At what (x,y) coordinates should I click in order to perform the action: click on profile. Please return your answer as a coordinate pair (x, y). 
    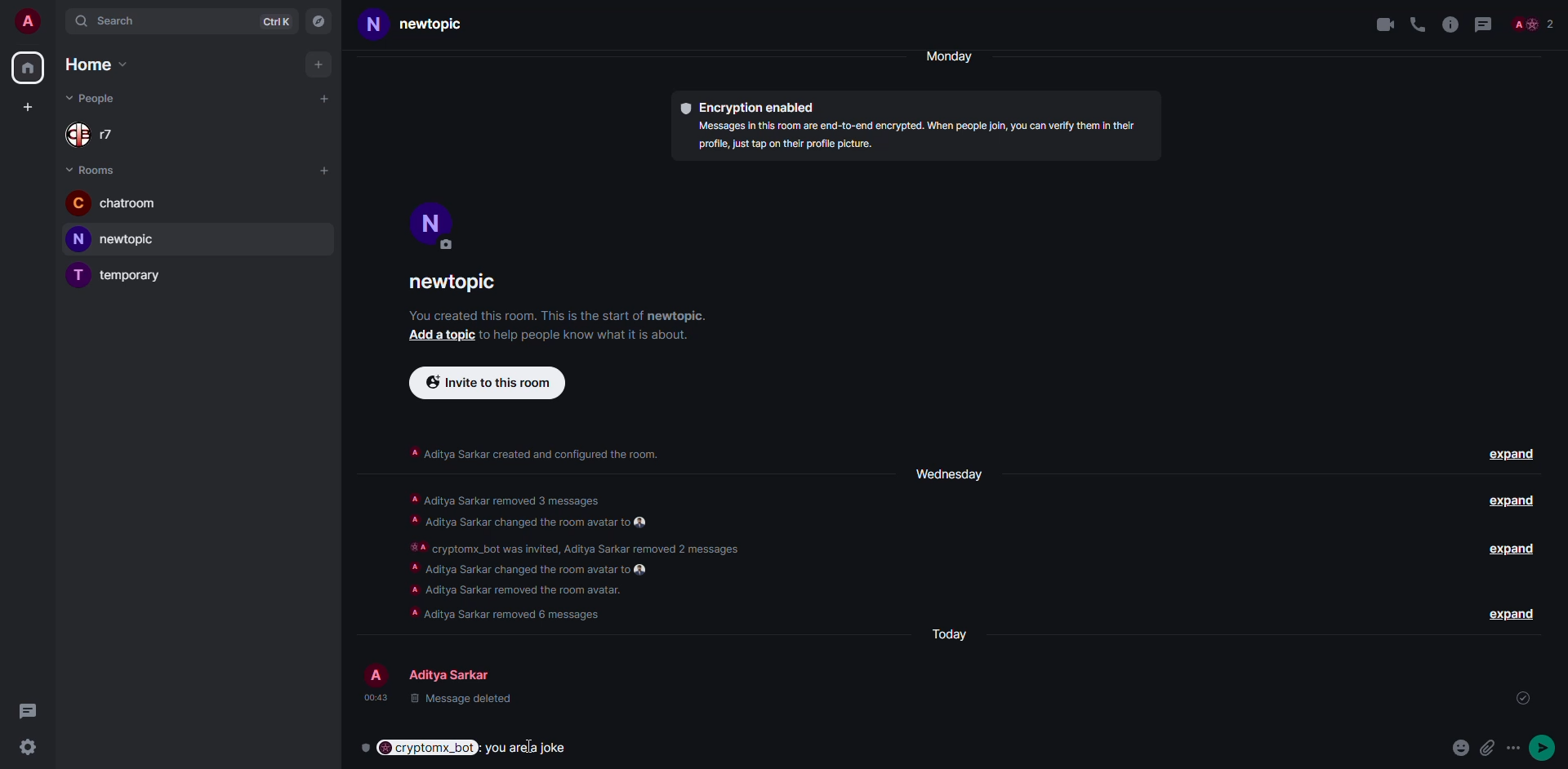
    Looking at the image, I should click on (432, 222).